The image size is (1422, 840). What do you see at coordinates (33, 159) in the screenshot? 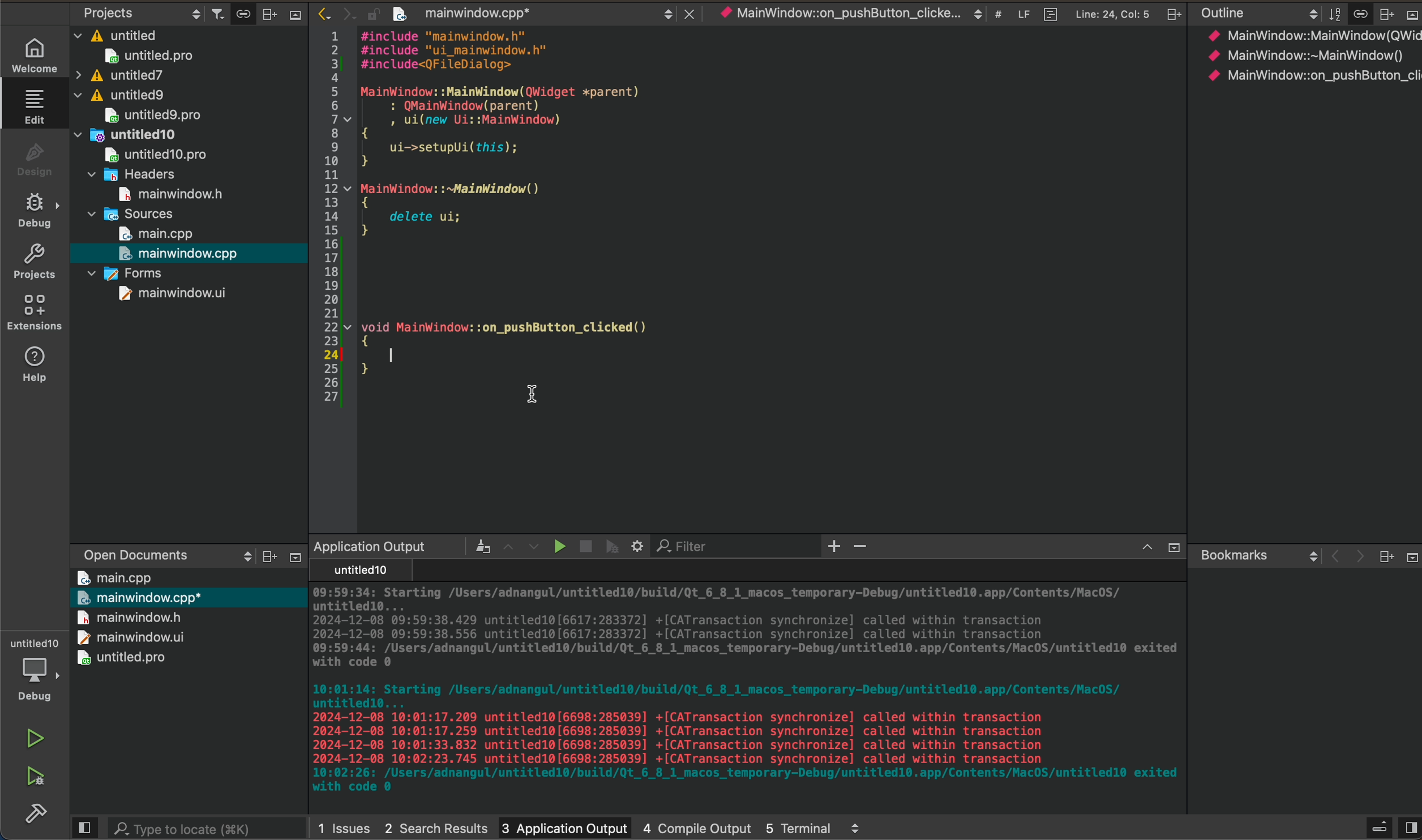
I see `design` at bounding box center [33, 159].